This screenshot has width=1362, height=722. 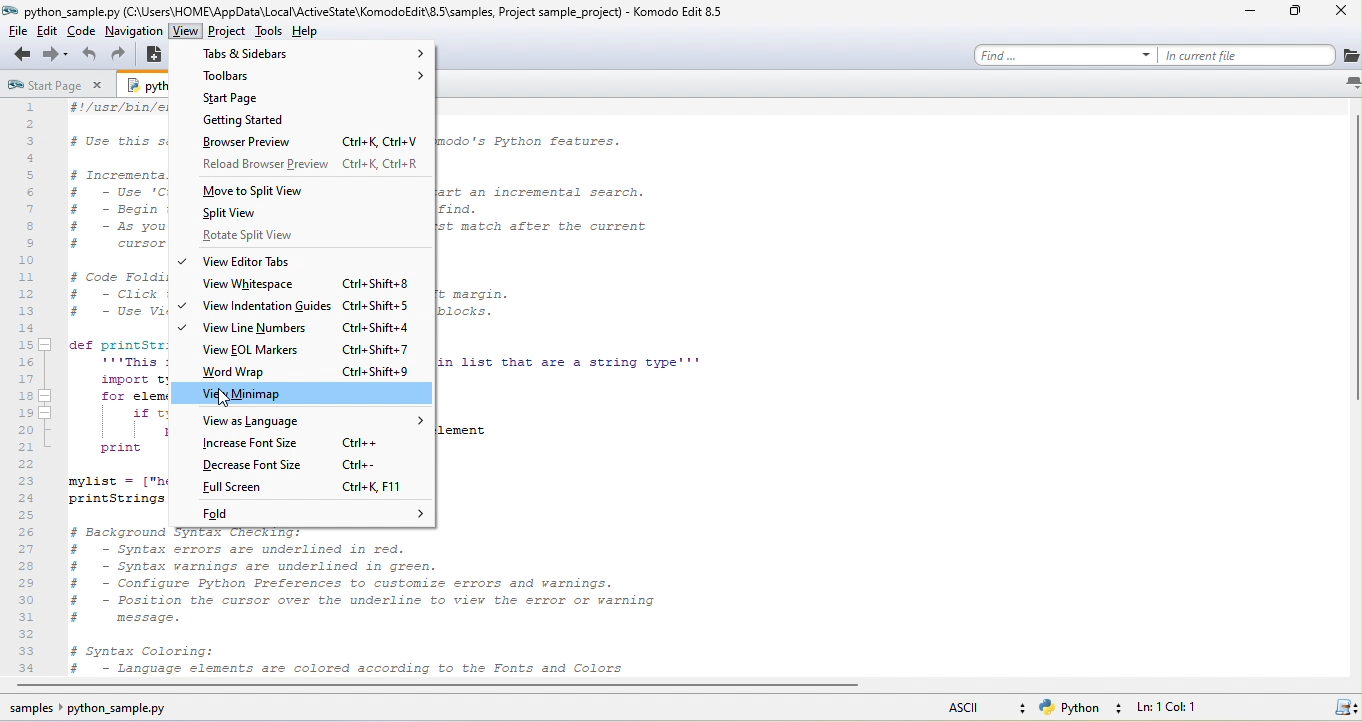 I want to click on file, so click(x=17, y=34).